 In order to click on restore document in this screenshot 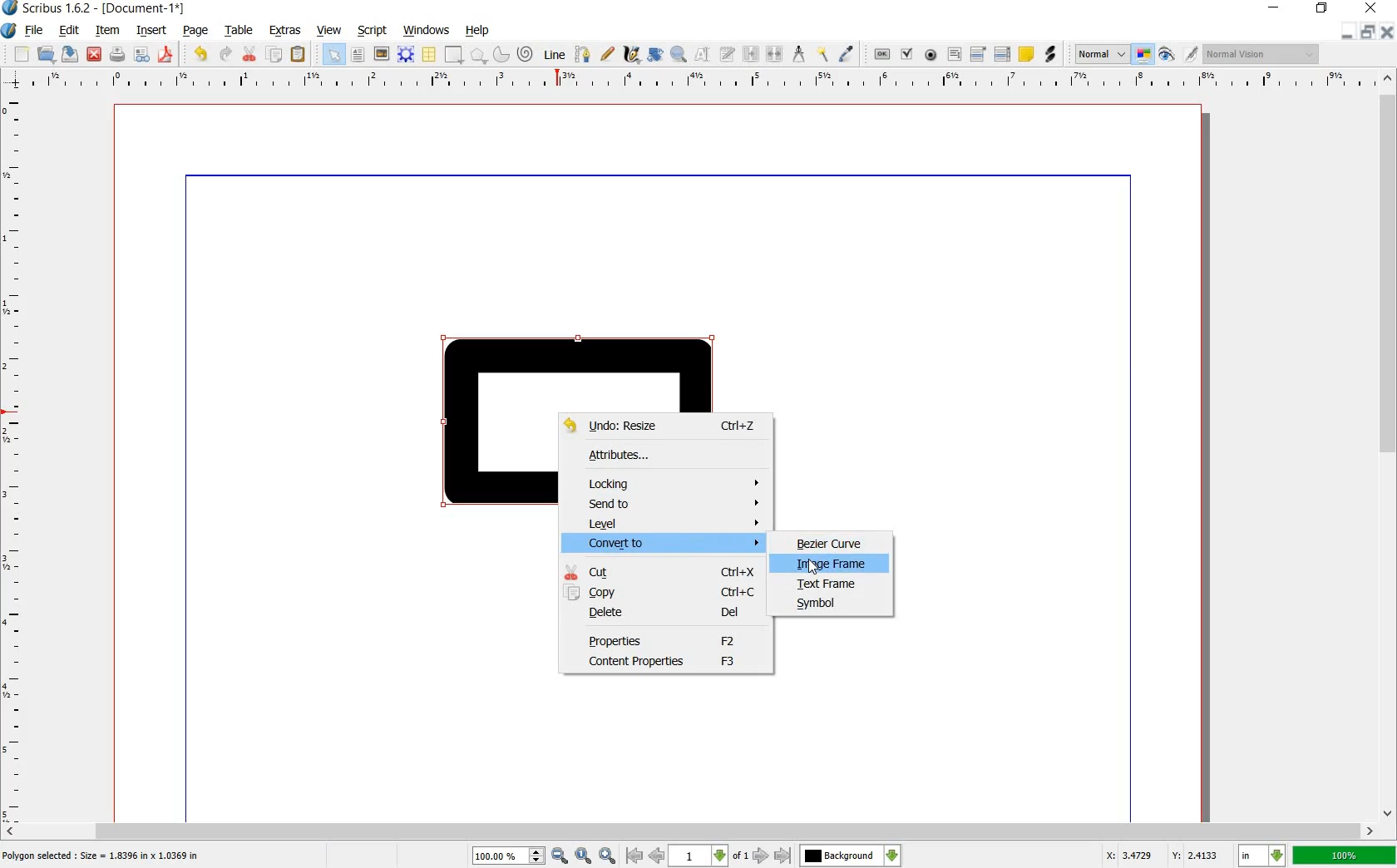, I will do `click(1369, 31)`.